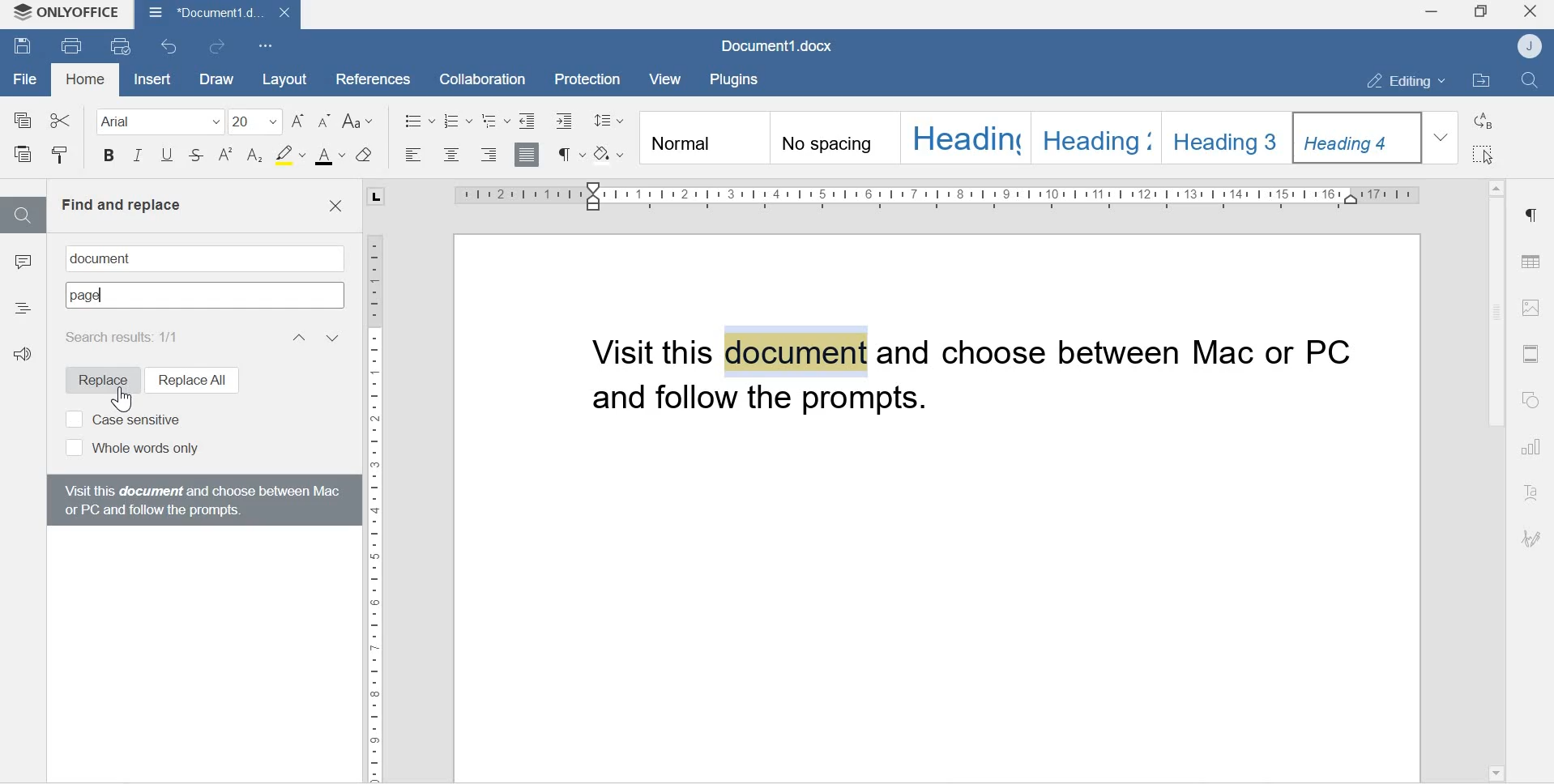  I want to click on Highlight color, so click(289, 154).